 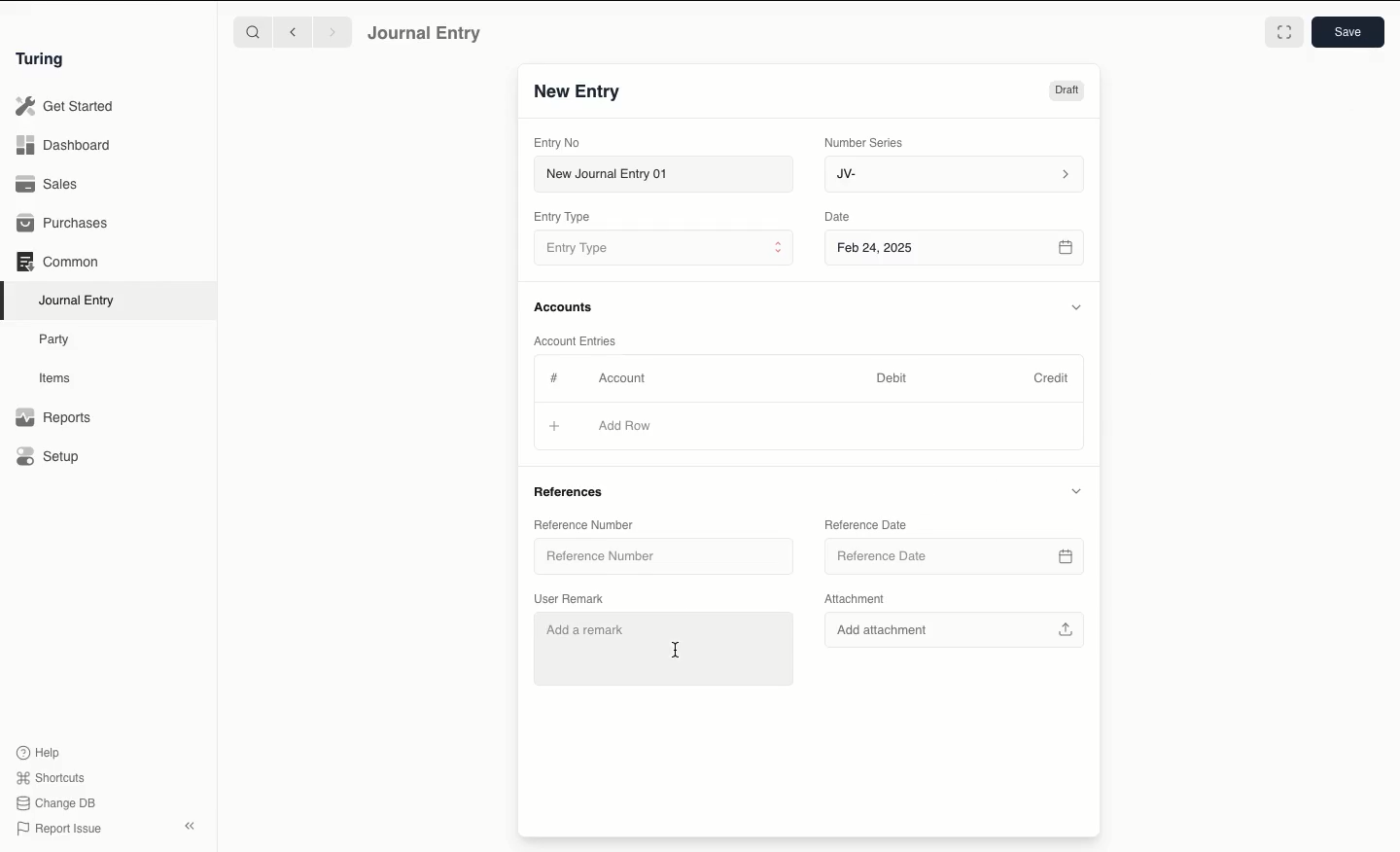 I want to click on Add Row, so click(x=626, y=427).